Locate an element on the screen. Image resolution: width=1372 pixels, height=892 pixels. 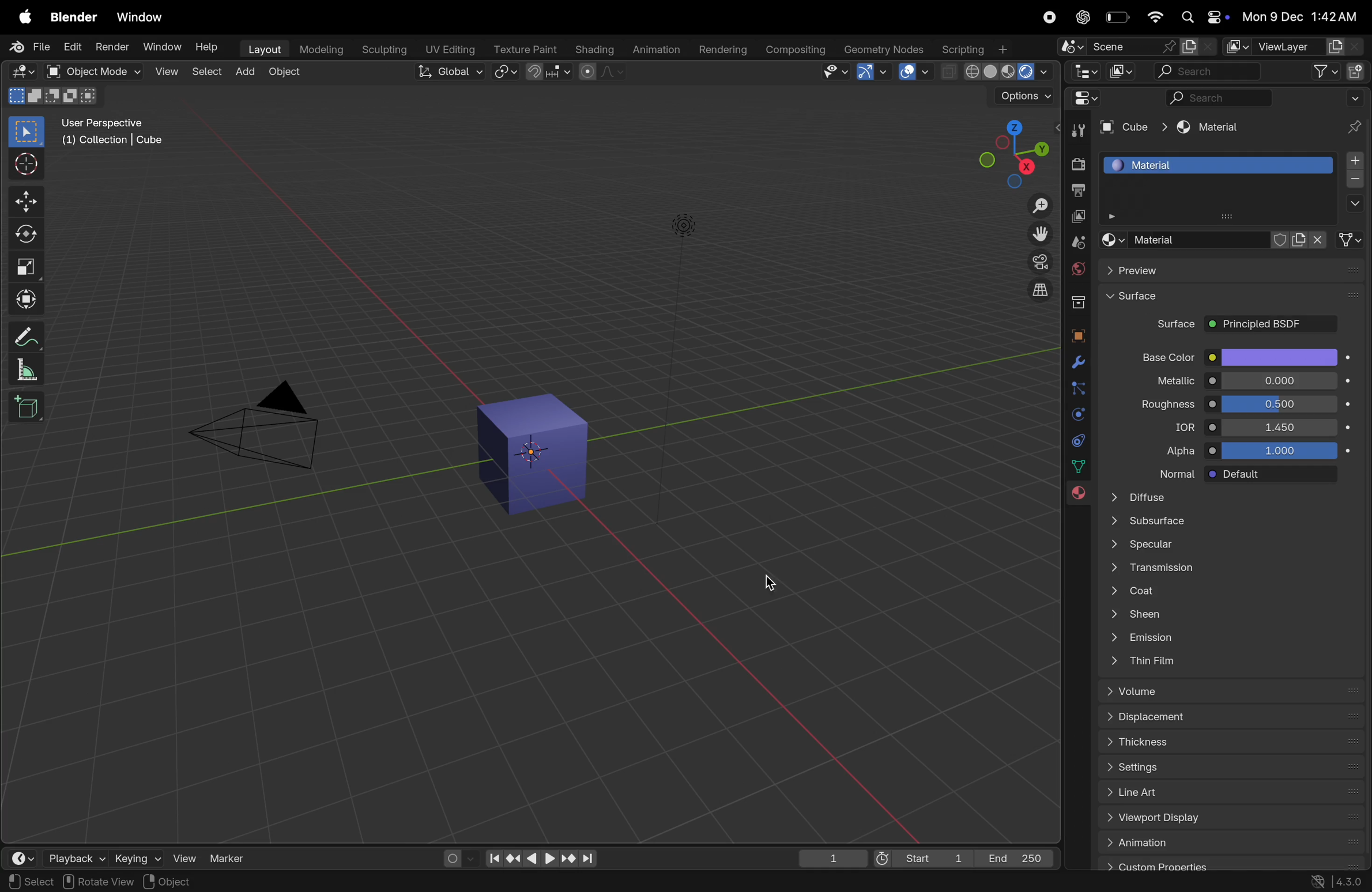
colection is located at coordinates (1076, 298).